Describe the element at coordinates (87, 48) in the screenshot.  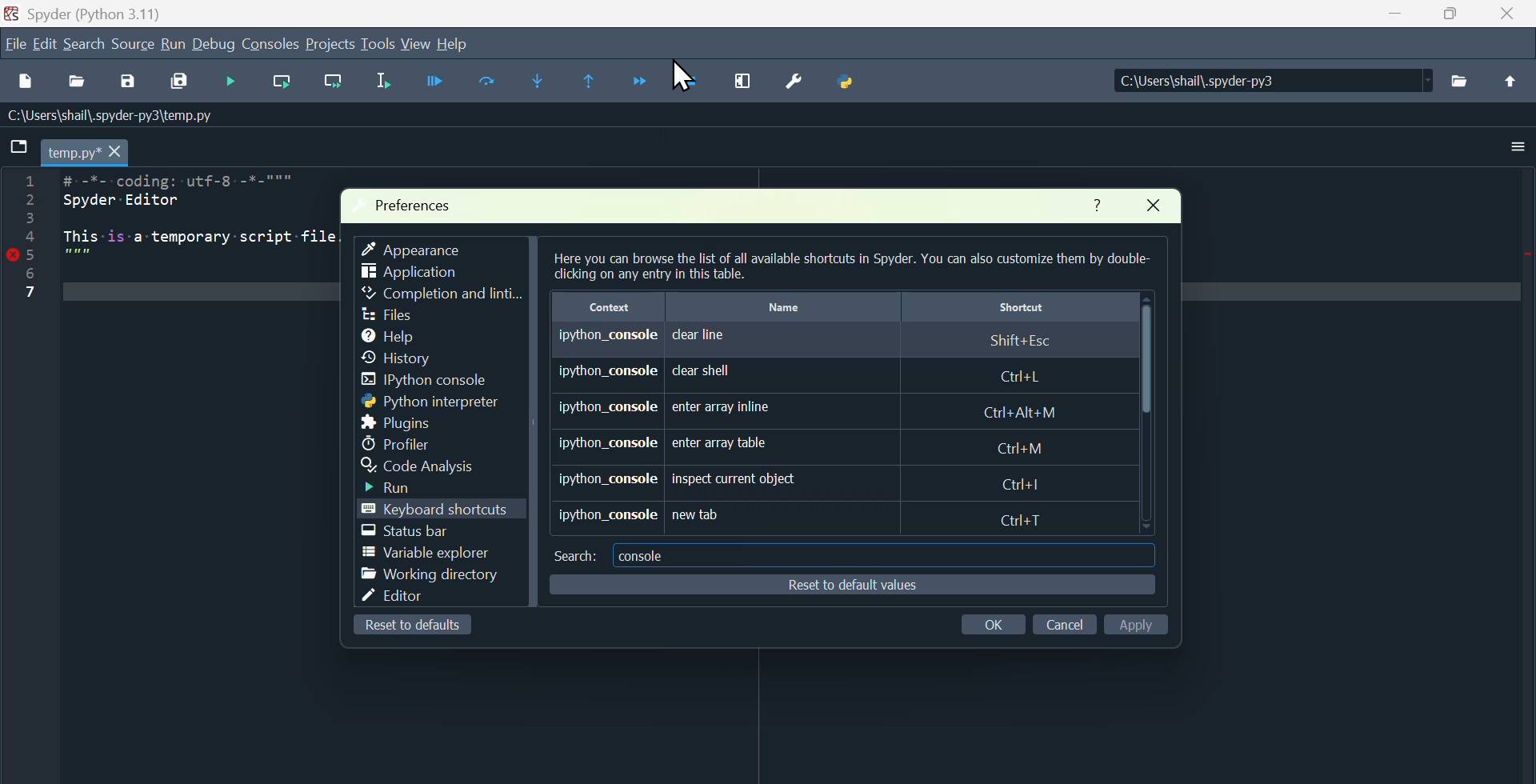
I see `Search` at that location.